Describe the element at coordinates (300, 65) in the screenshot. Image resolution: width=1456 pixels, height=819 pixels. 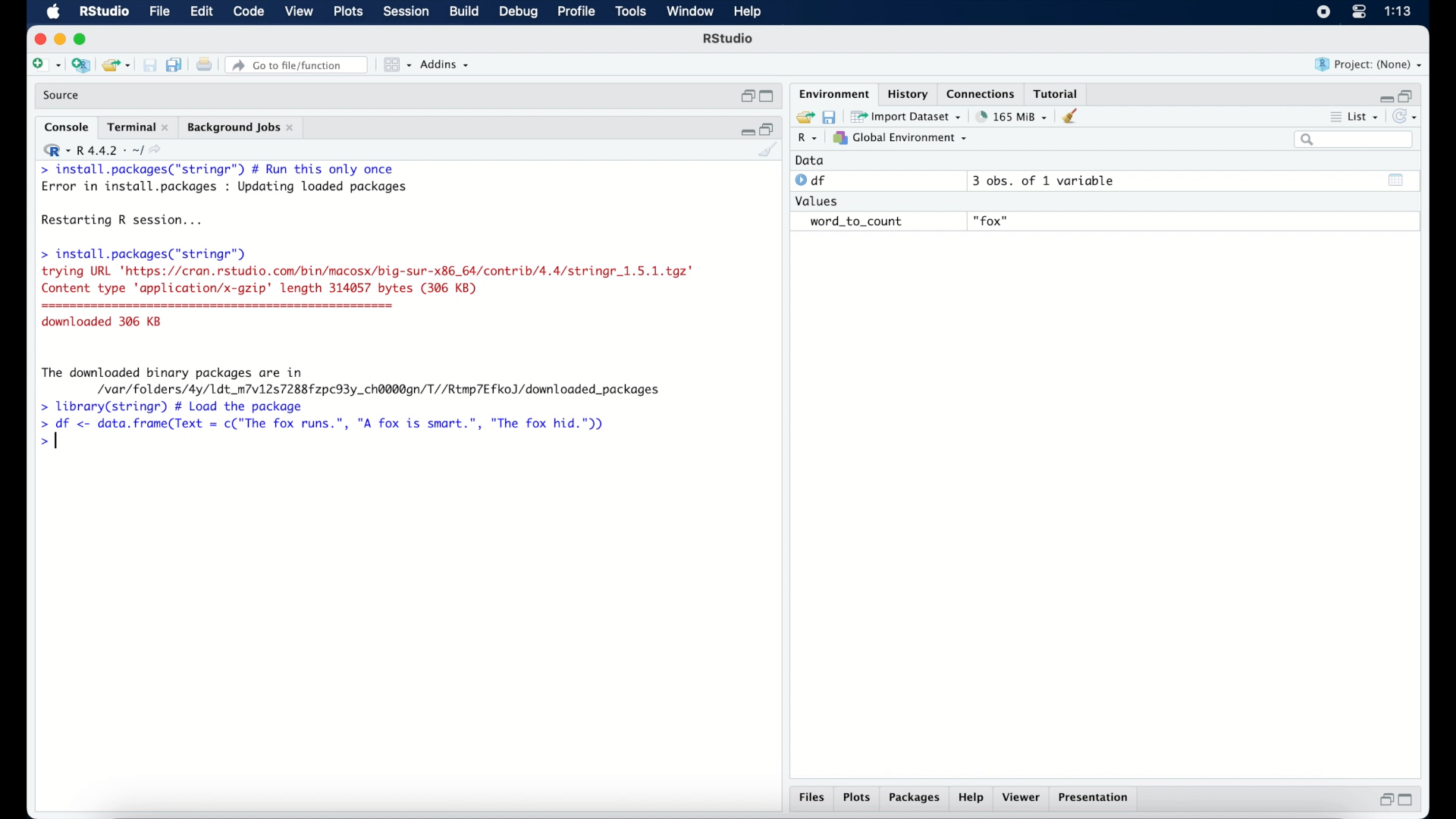
I see `go to file/function` at that location.